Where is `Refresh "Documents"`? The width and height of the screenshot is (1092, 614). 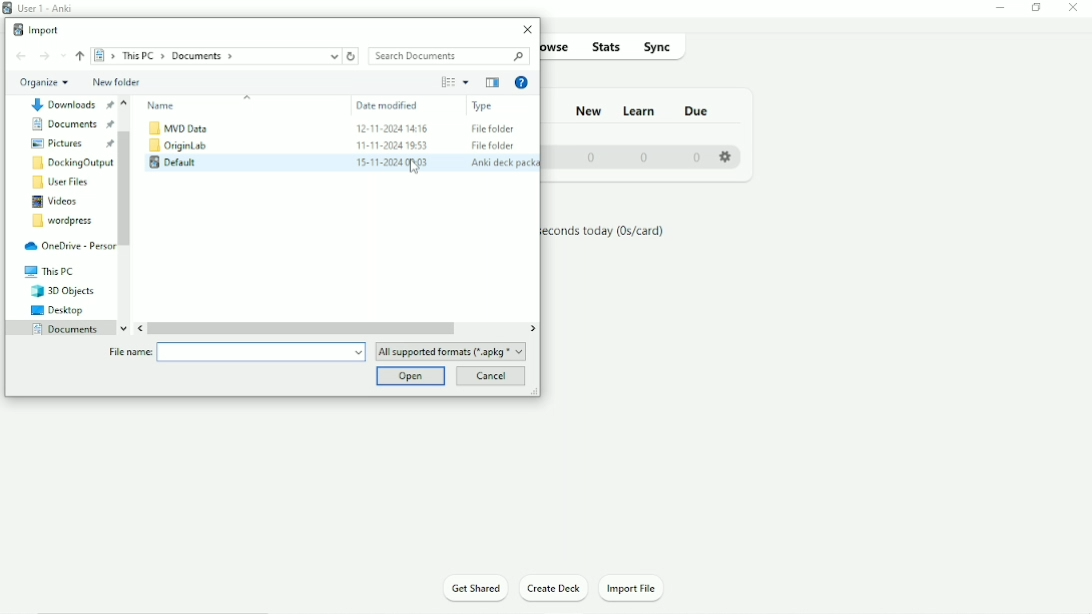
Refresh "Documents" is located at coordinates (352, 55).